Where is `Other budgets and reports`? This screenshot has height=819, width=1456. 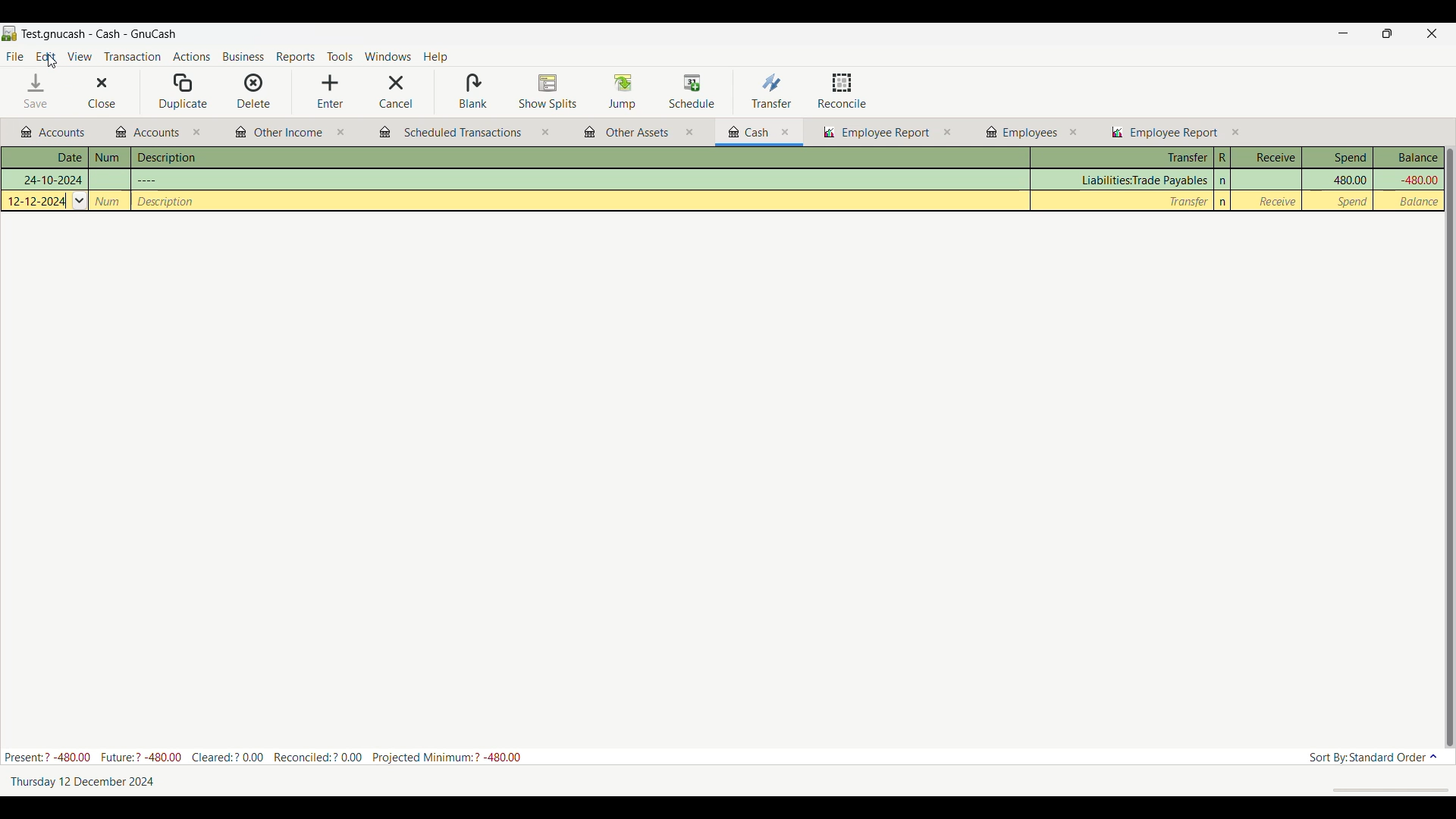 Other budgets and reports is located at coordinates (750, 133).